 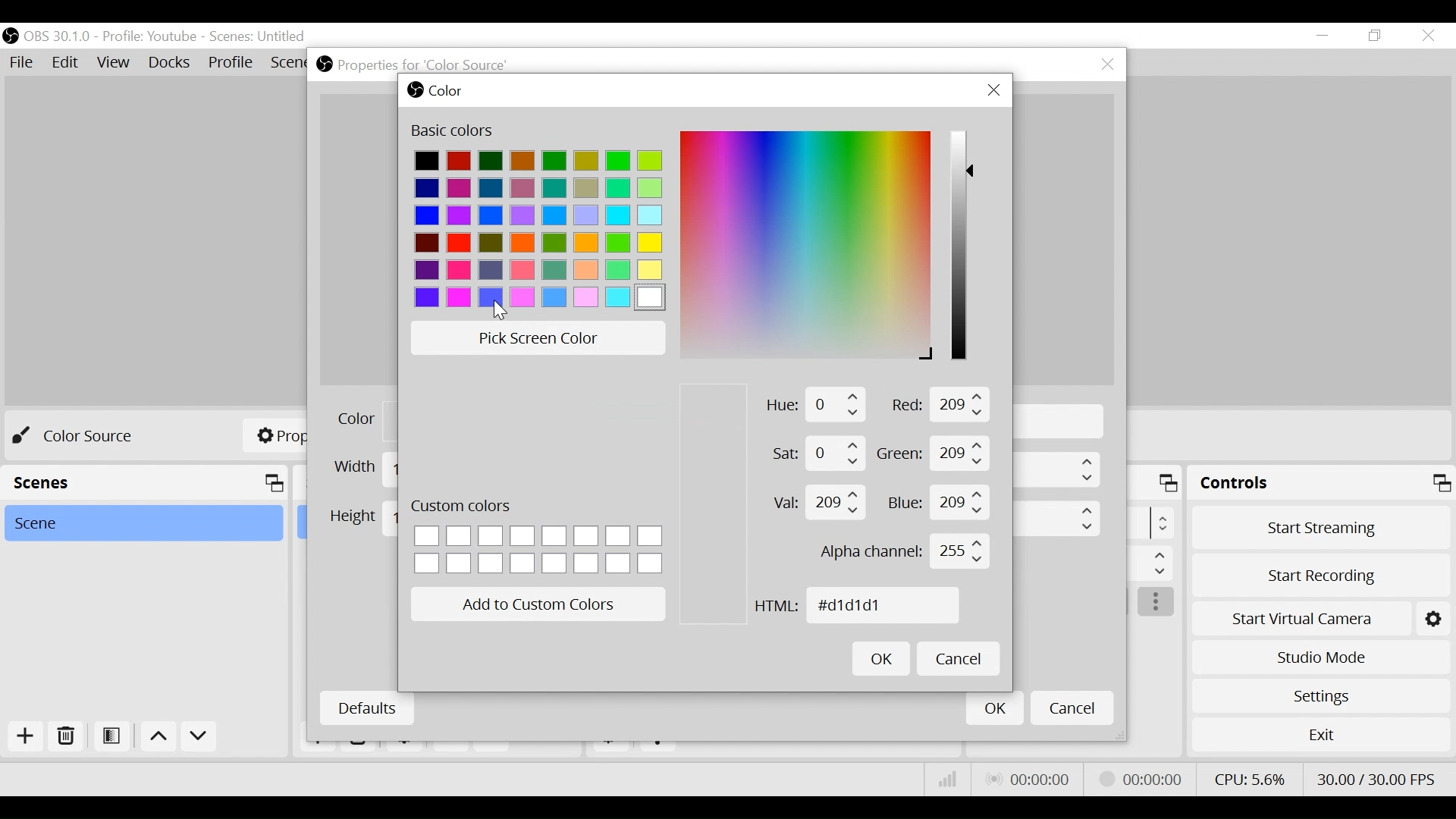 What do you see at coordinates (1376, 777) in the screenshot?
I see `Frame Per Second` at bounding box center [1376, 777].